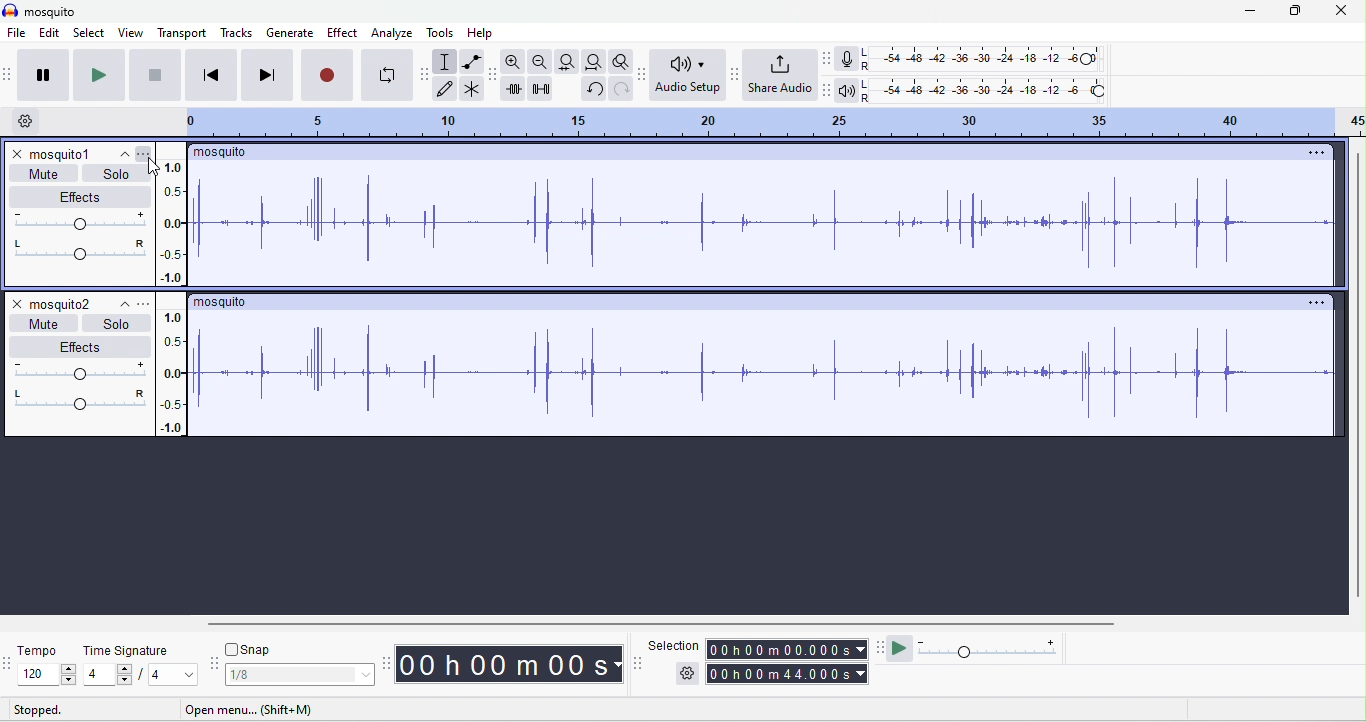  I want to click on record meter tool bar, so click(828, 59).